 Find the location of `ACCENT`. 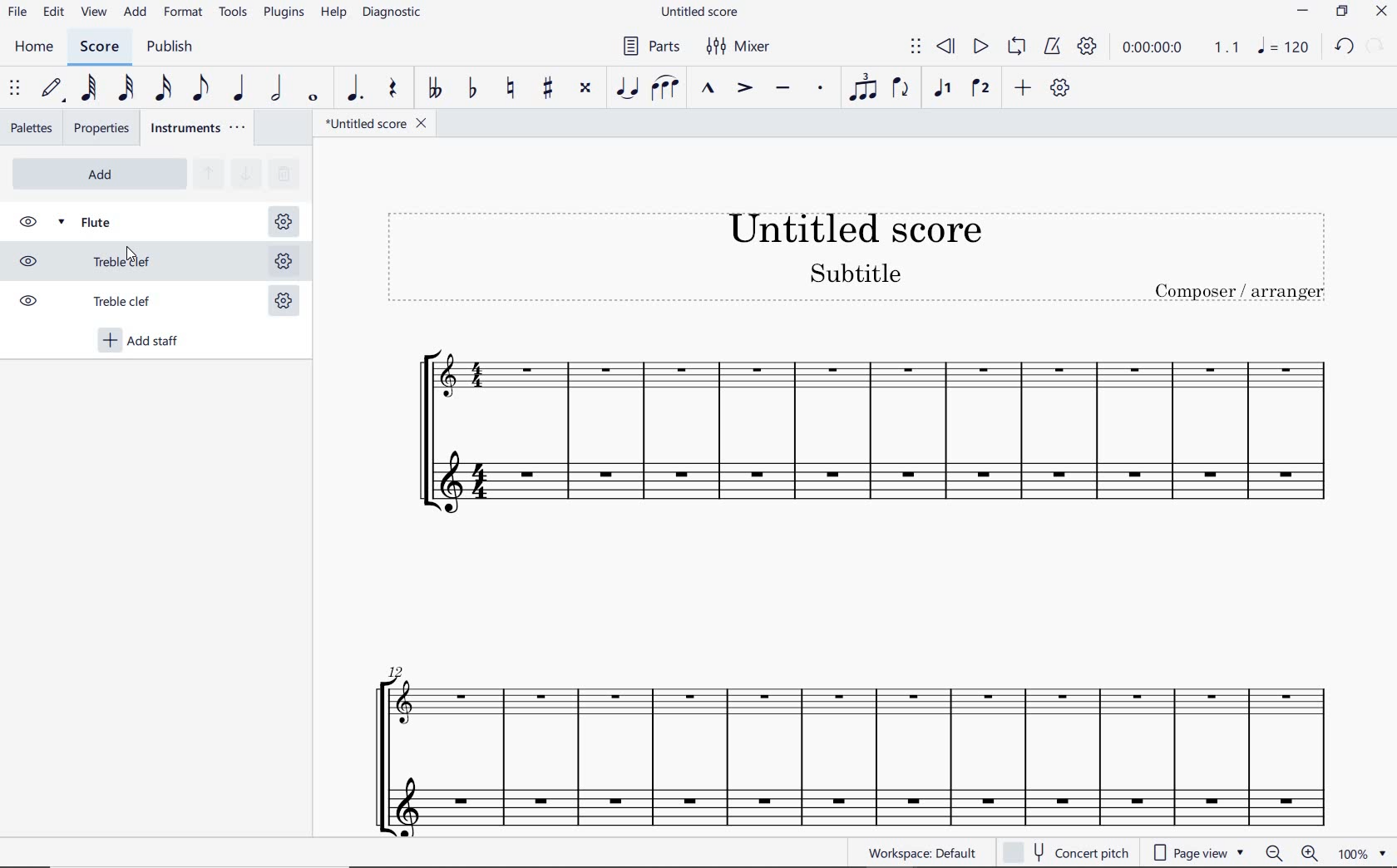

ACCENT is located at coordinates (743, 89).